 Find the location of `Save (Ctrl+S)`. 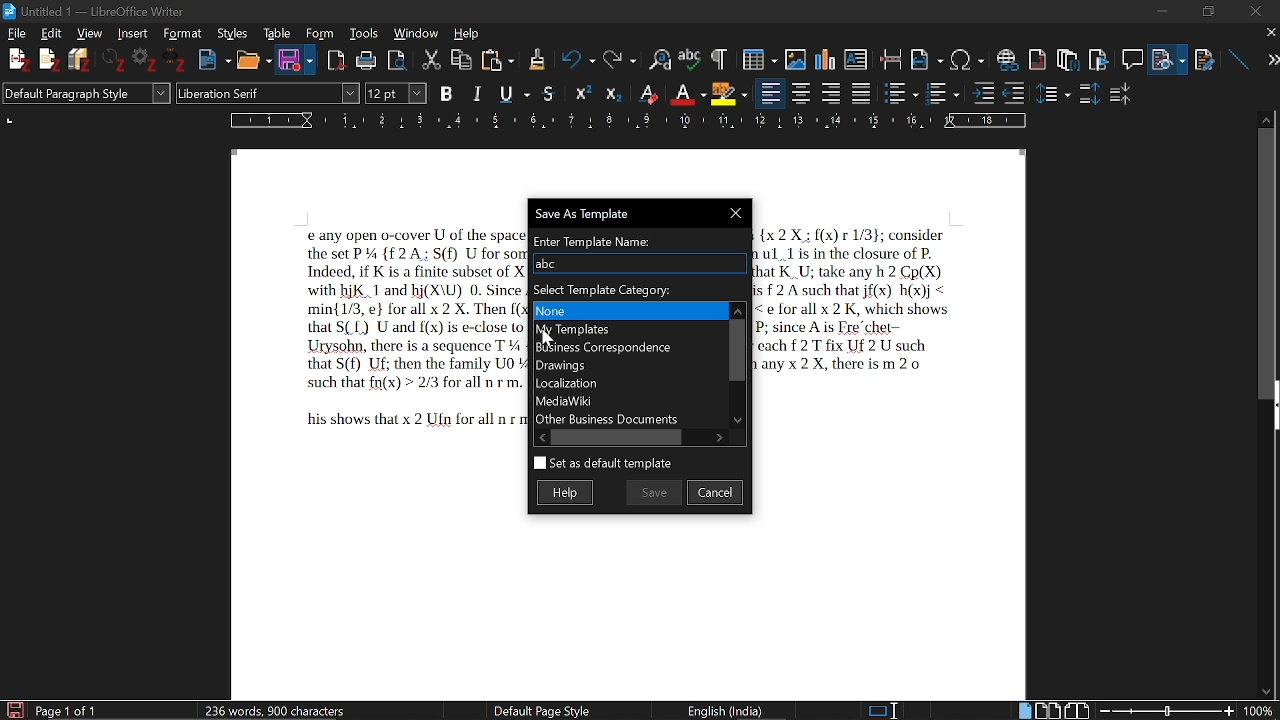

Save (Ctrl+S) is located at coordinates (388, 94).